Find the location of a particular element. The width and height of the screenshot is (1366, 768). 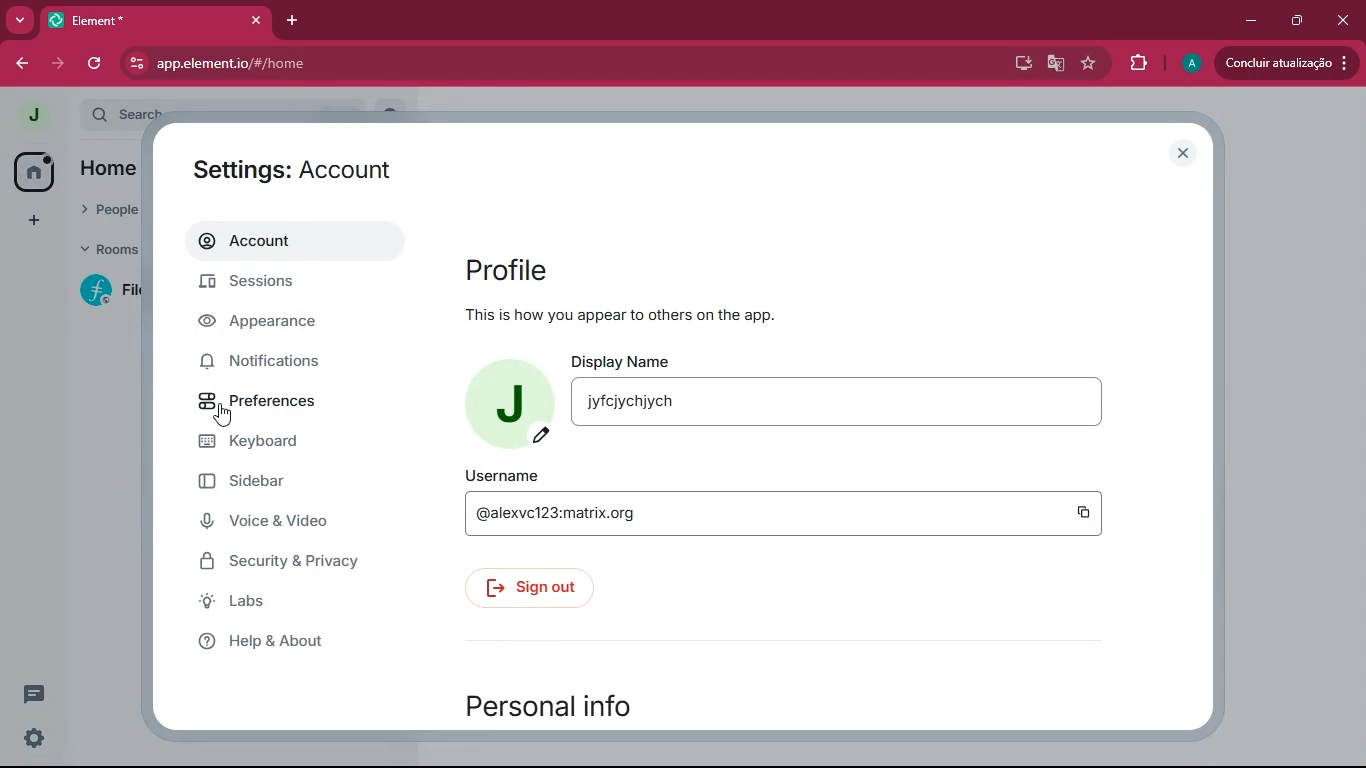

more is located at coordinates (16, 21).